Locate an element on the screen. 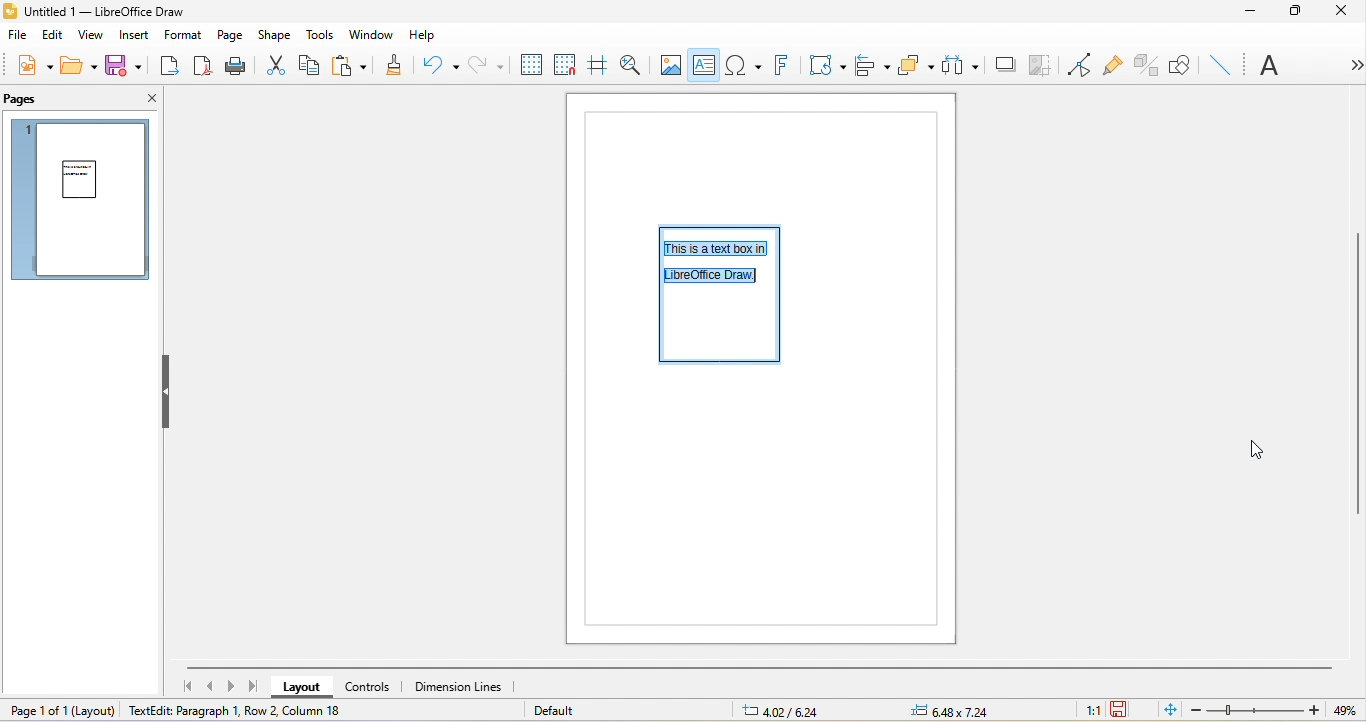  last page is located at coordinates (253, 686).